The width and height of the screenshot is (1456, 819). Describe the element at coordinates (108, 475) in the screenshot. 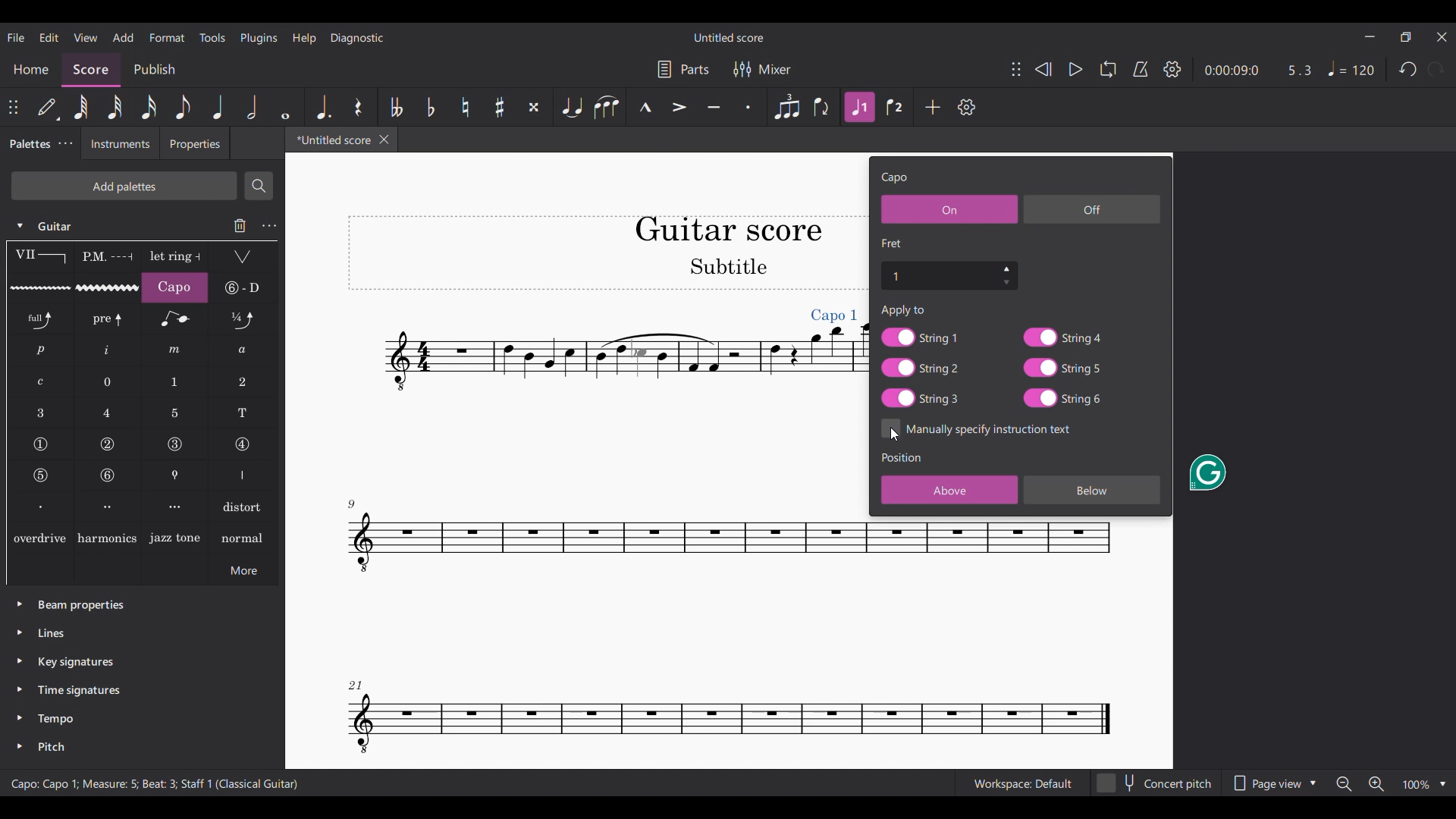

I see `String number 6` at that location.